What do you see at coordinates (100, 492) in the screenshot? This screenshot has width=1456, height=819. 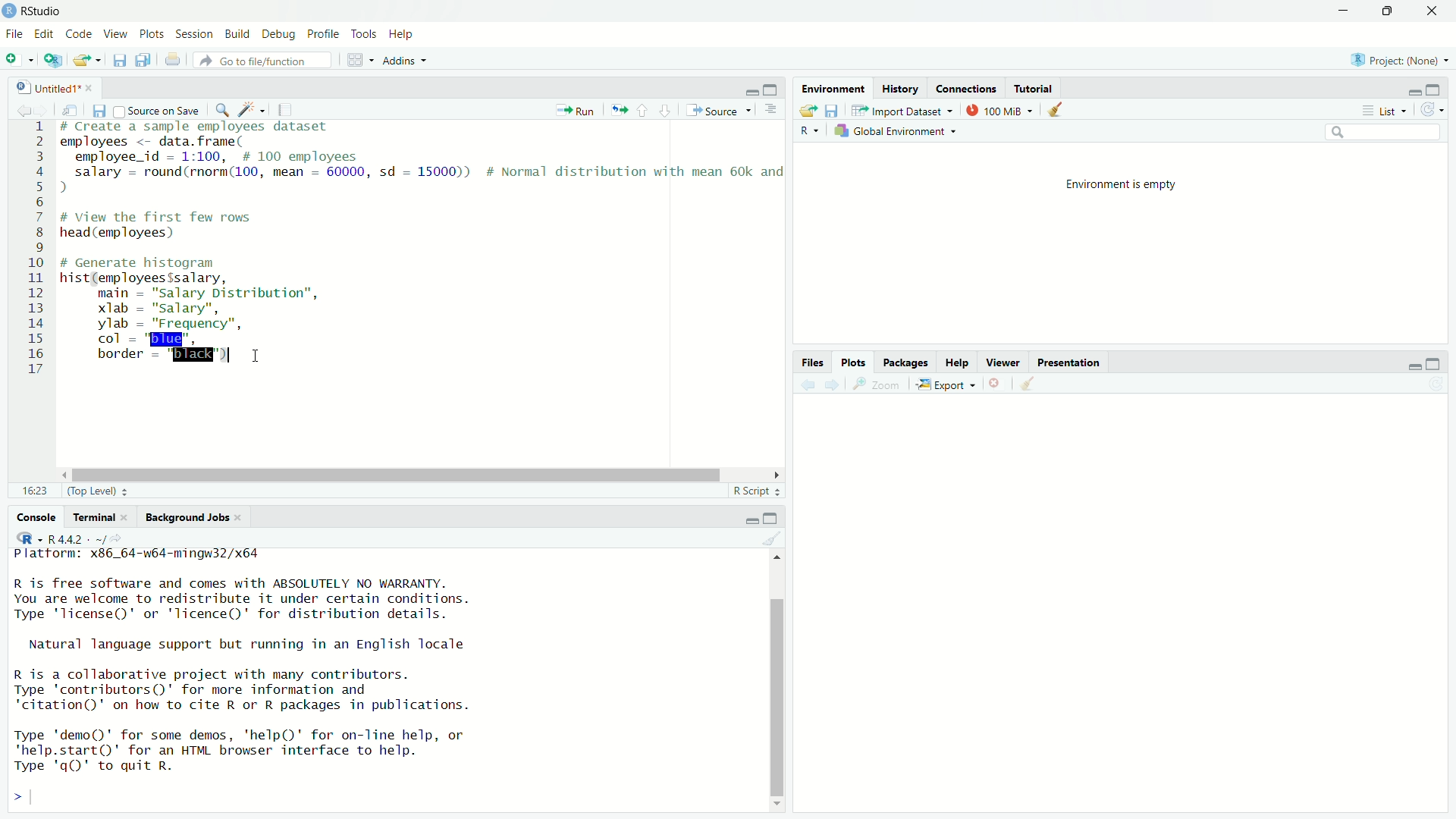 I see `Top Level` at bounding box center [100, 492].